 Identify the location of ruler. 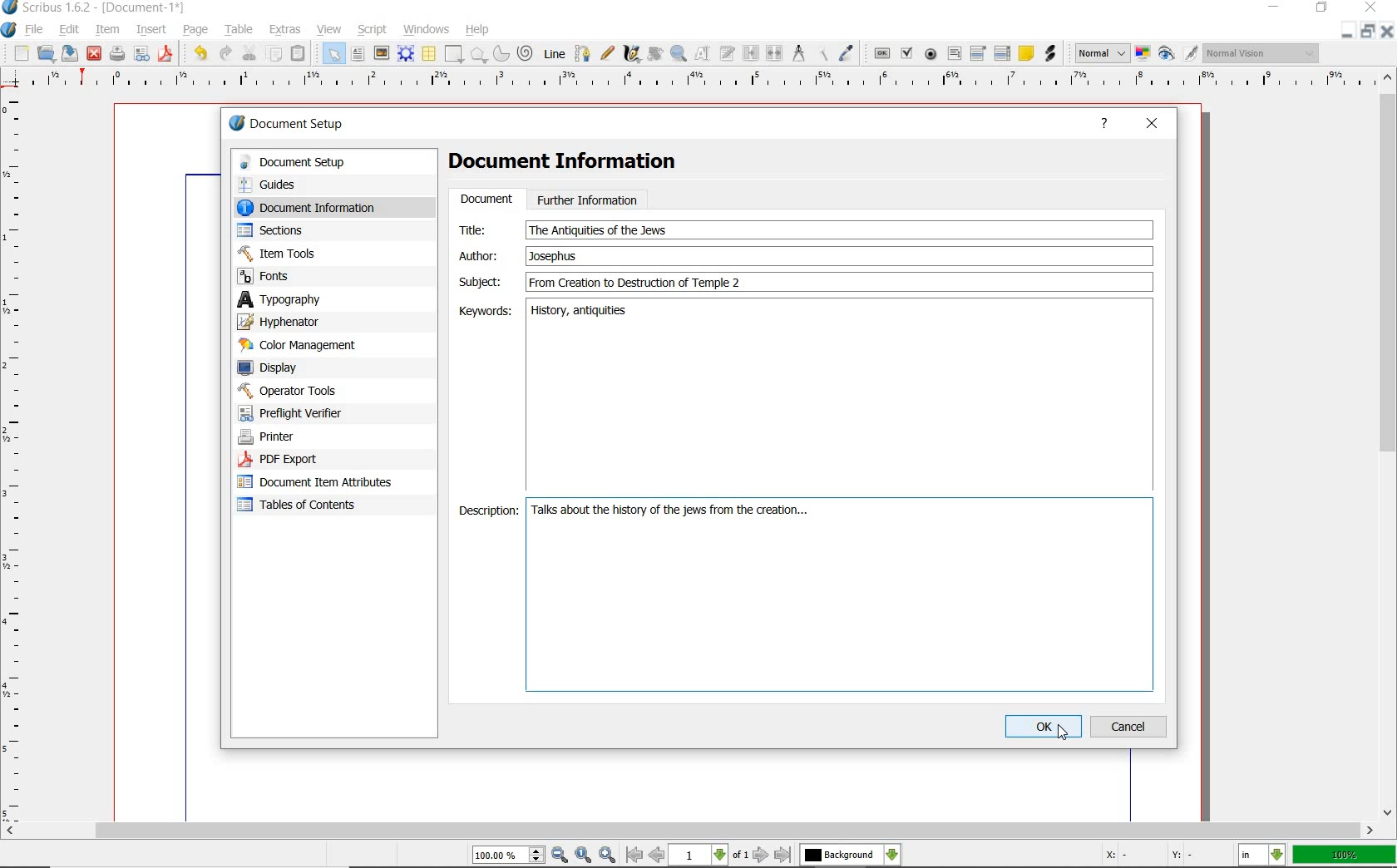
(705, 83).